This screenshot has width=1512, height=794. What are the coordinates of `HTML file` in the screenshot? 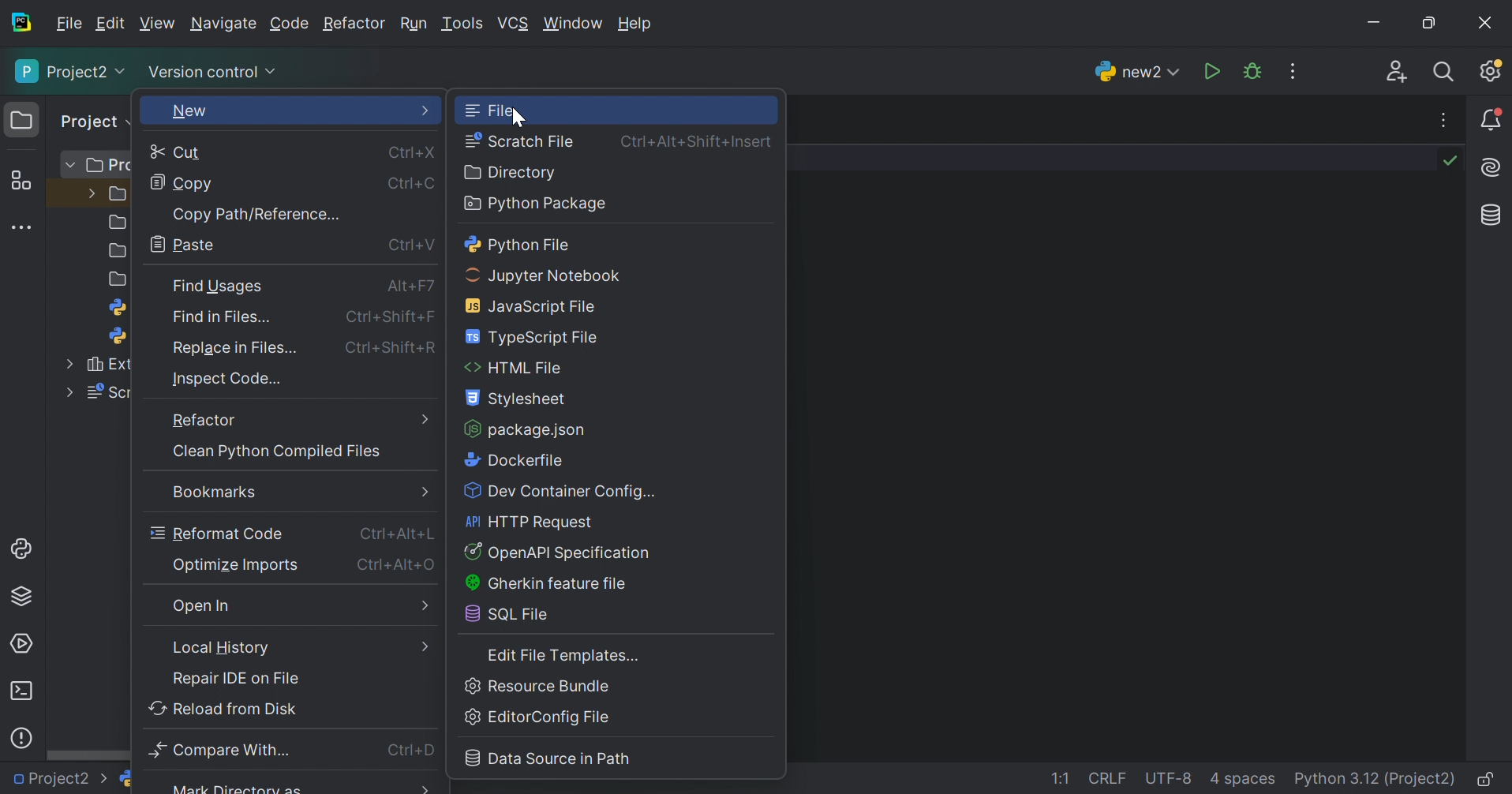 It's located at (515, 369).